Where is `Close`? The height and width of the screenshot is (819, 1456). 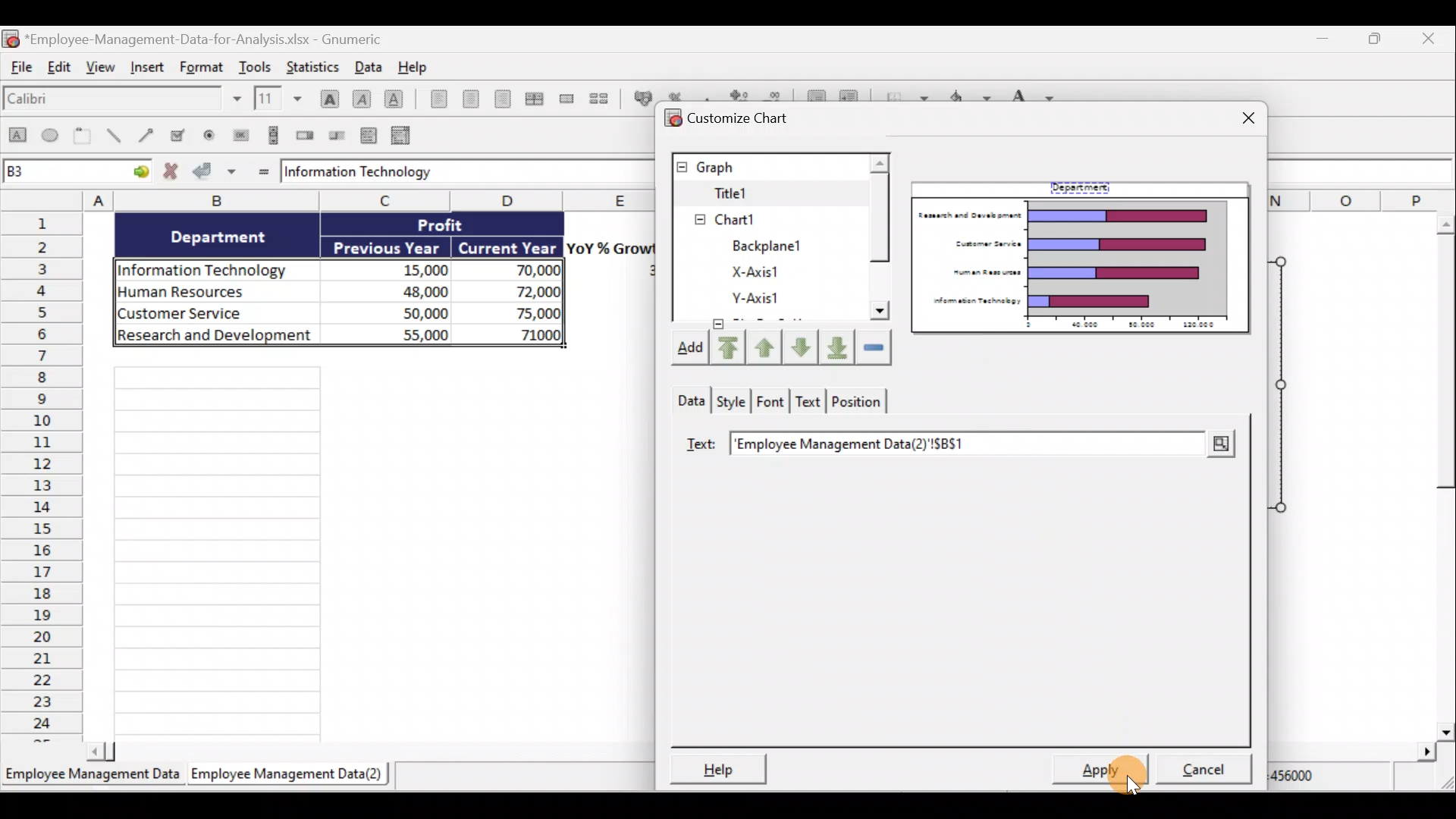
Close is located at coordinates (1244, 121).